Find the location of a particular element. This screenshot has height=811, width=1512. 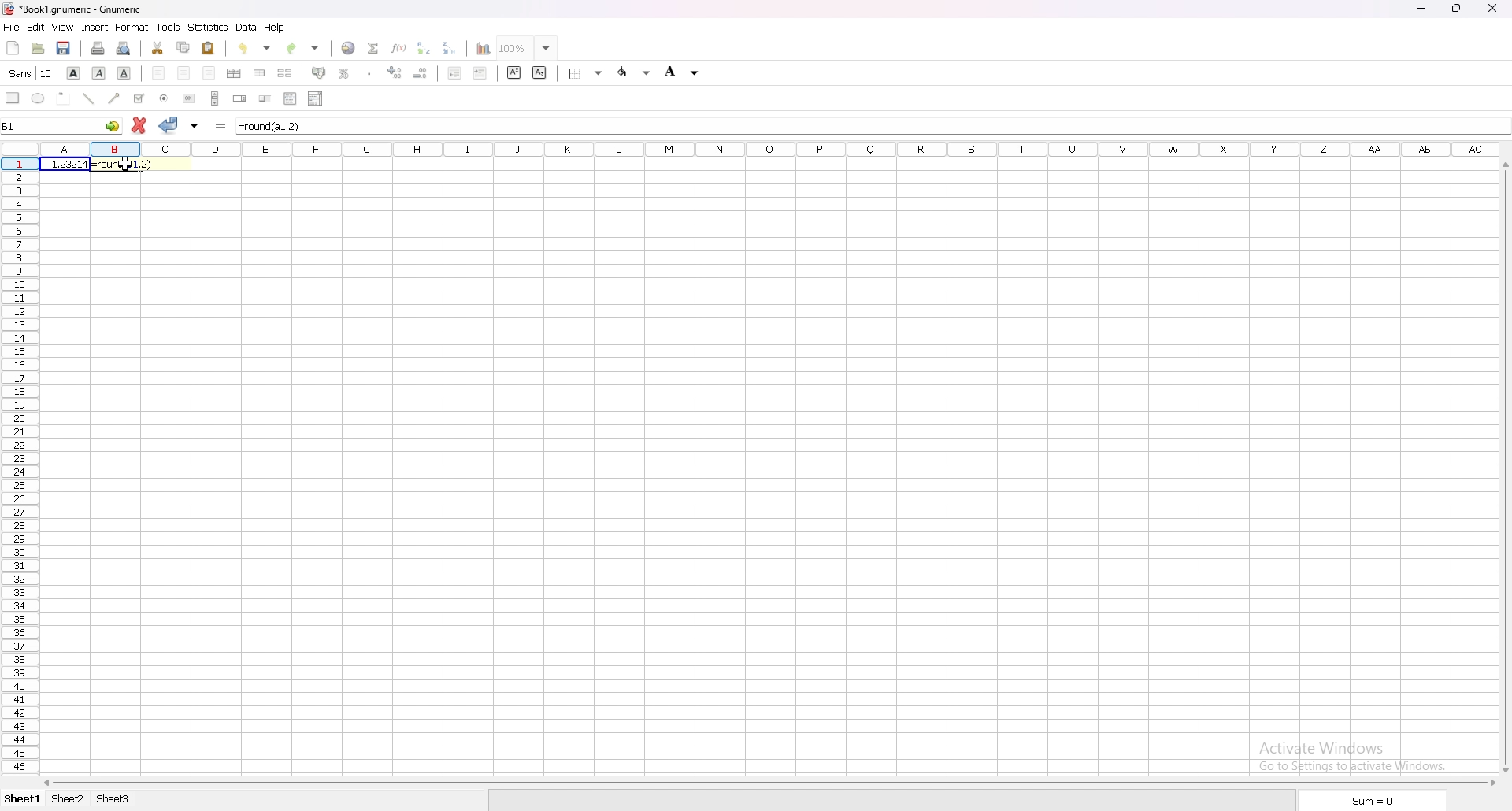

redo is located at coordinates (306, 48).